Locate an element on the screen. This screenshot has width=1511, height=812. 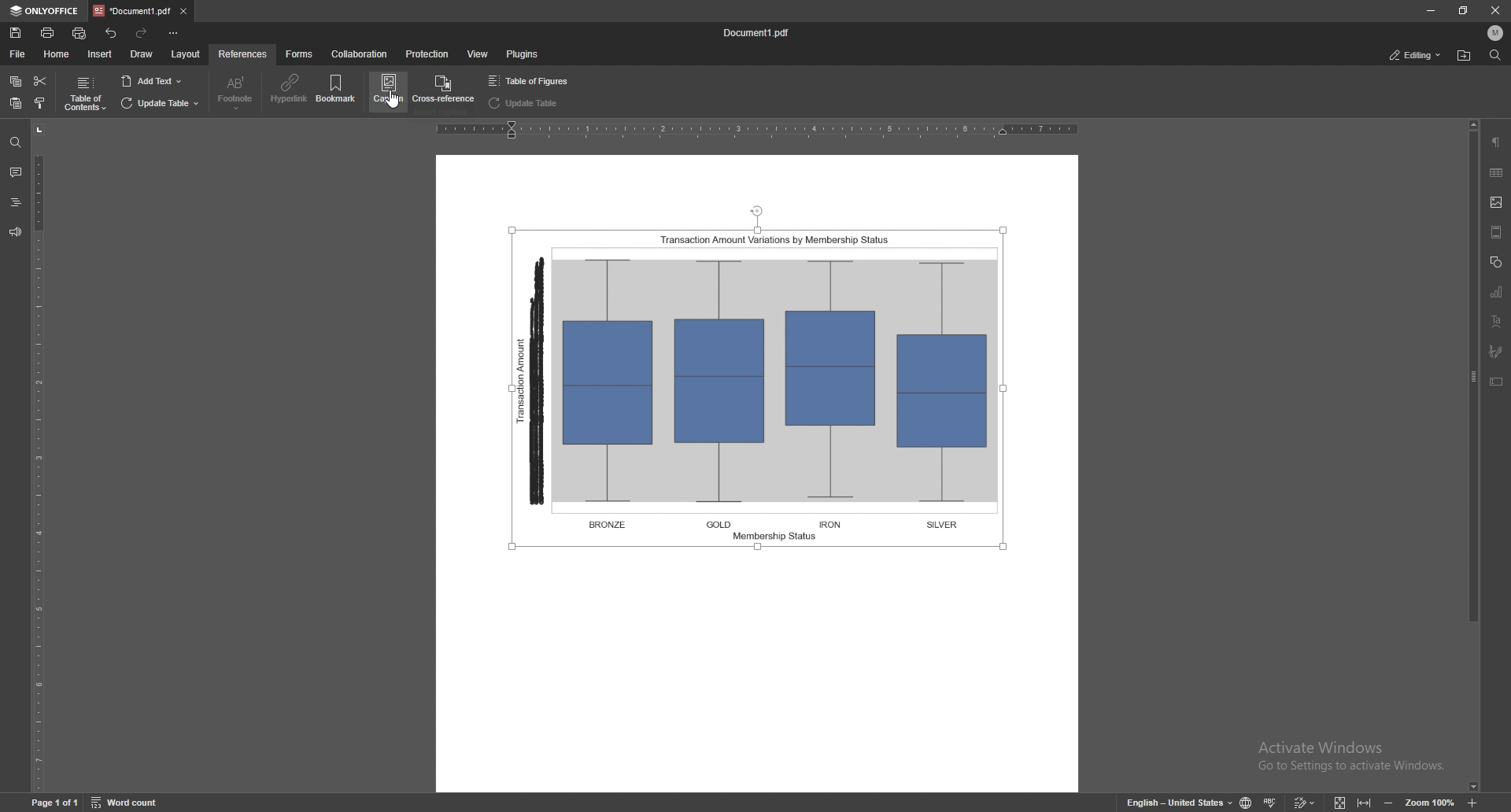
customize toolbar is located at coordinates (172, 33).